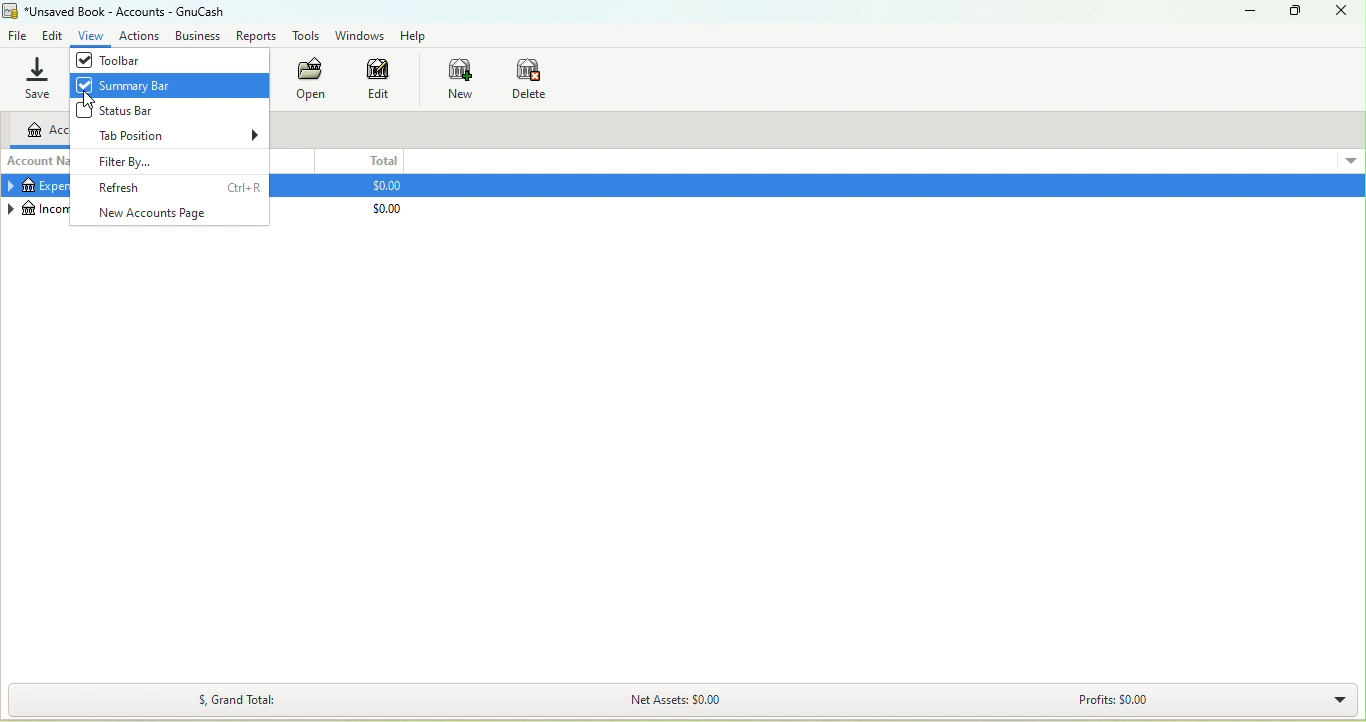 The height and width of the screenshot is (722, 1366). What do you see at coordinates (304, 36) in the screenshot?
I see `Tools` at bounding box center [304, 36].